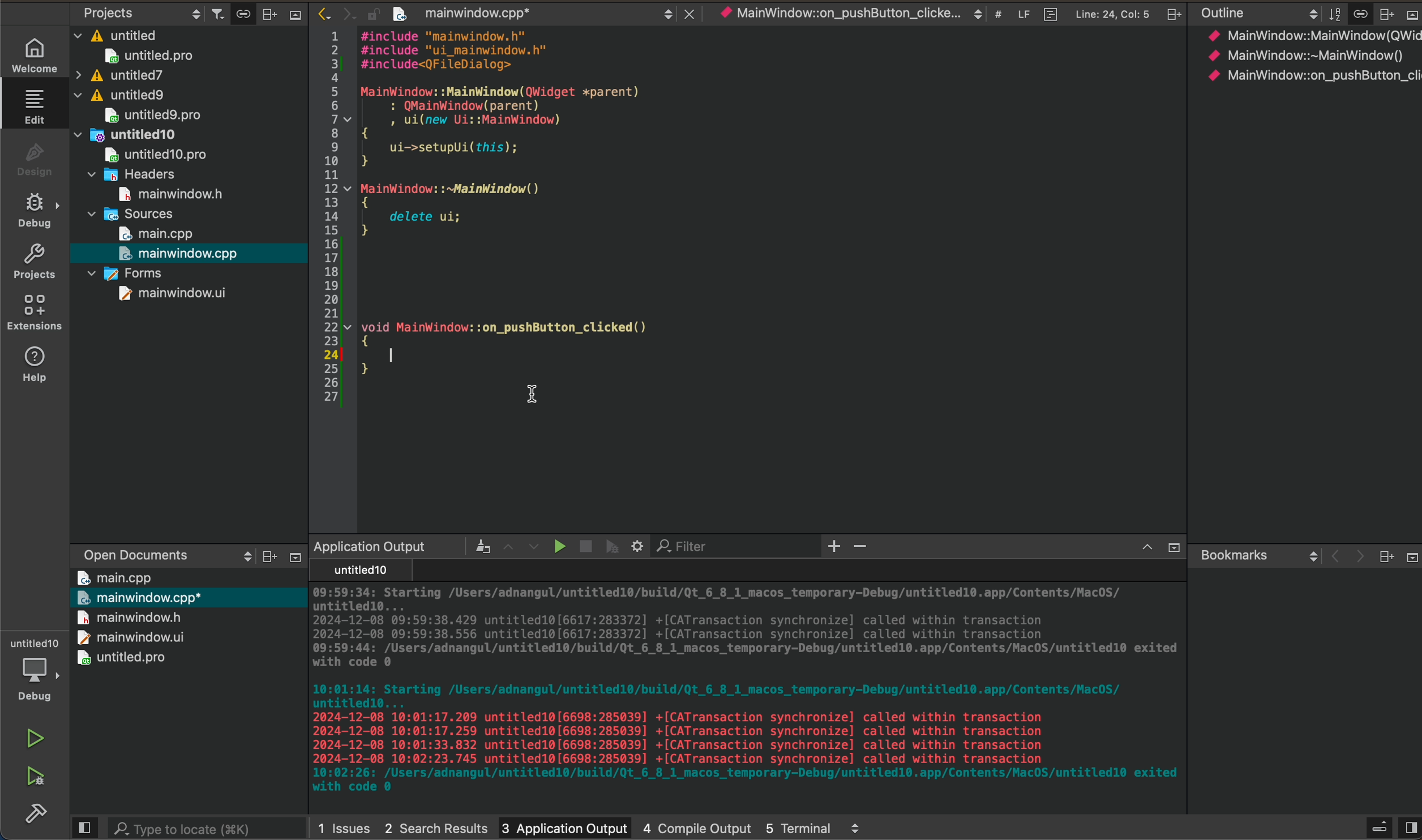  What do you see at coordinates (474, 546) in the screenshot?
I see `` at bounding box center [474, 546].